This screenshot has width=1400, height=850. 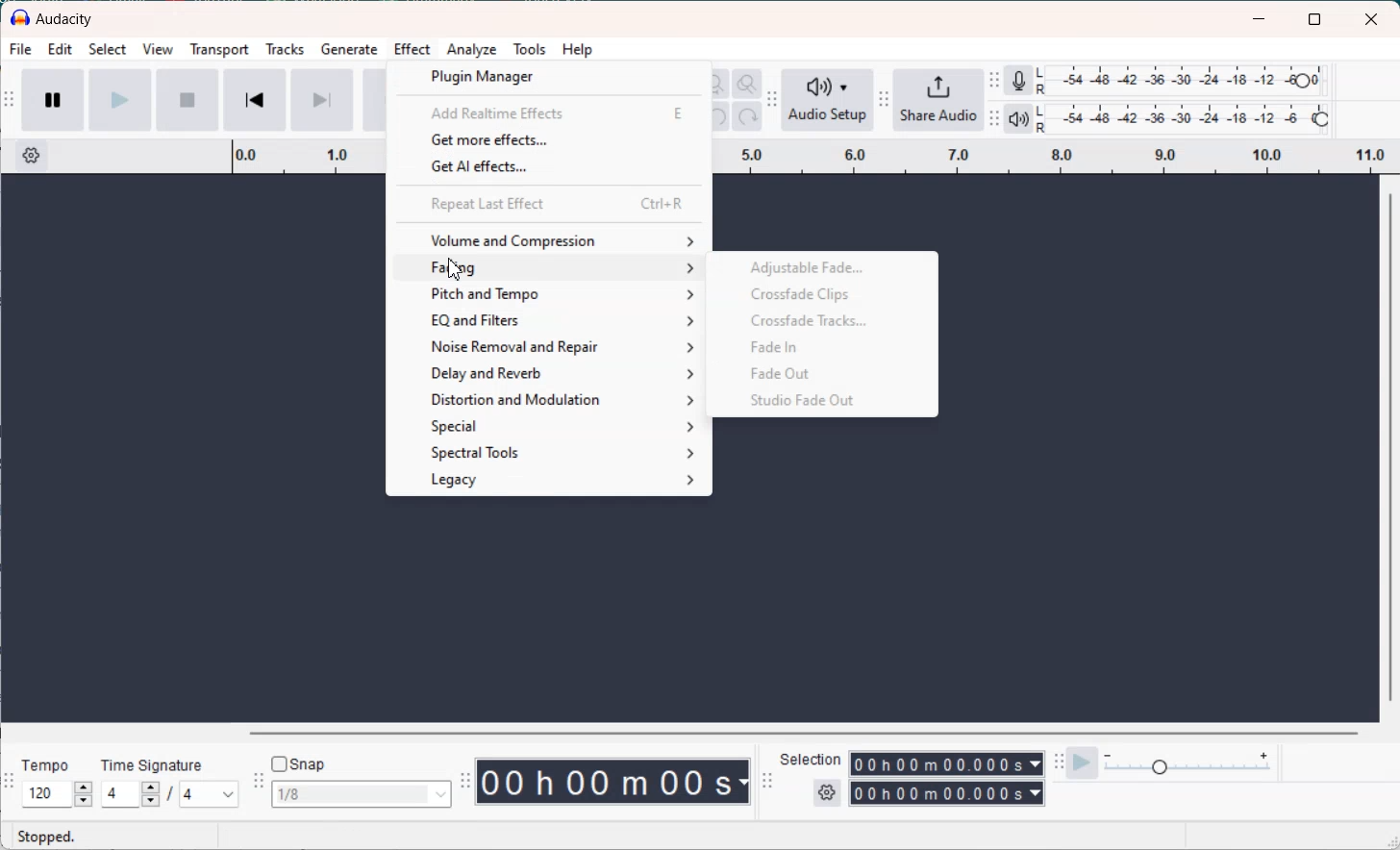 I want to click on Add Realtime effects, so click(x=548, y=112).